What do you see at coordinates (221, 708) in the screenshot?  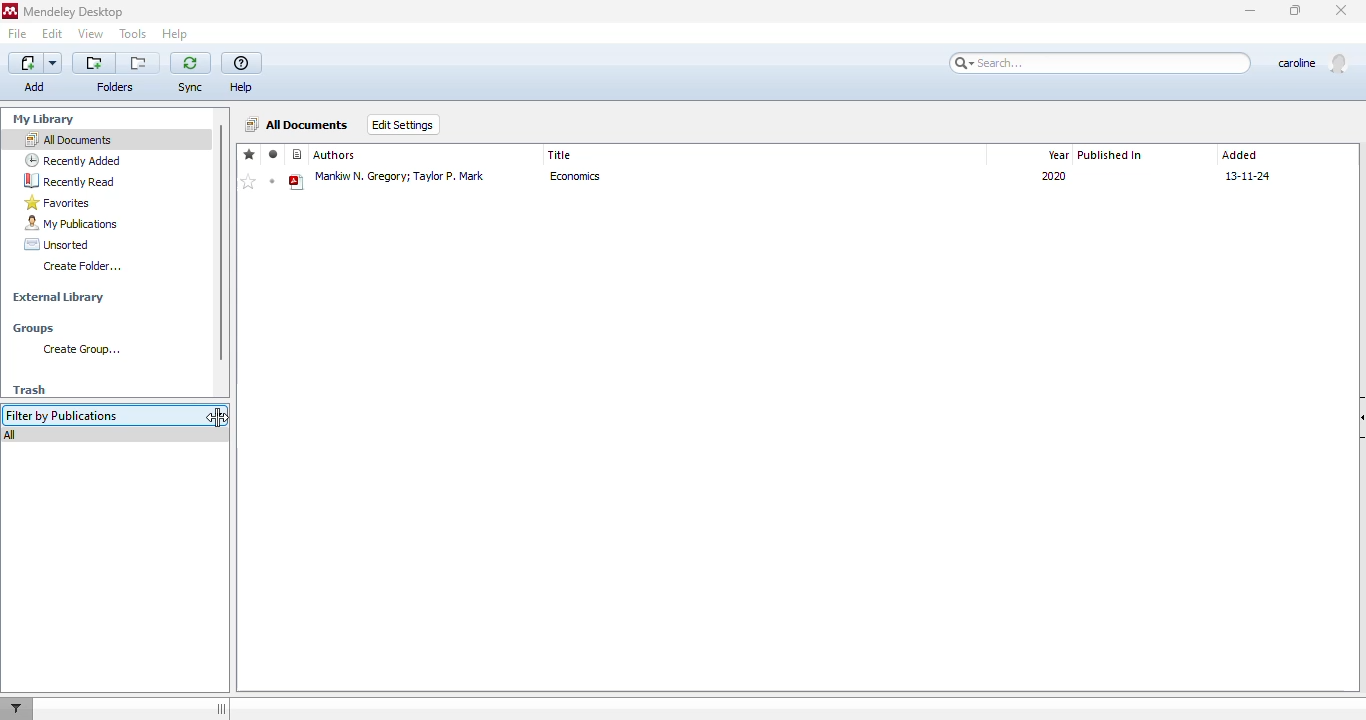 I see `toggle hide/show` at bounding box center [221, 708].